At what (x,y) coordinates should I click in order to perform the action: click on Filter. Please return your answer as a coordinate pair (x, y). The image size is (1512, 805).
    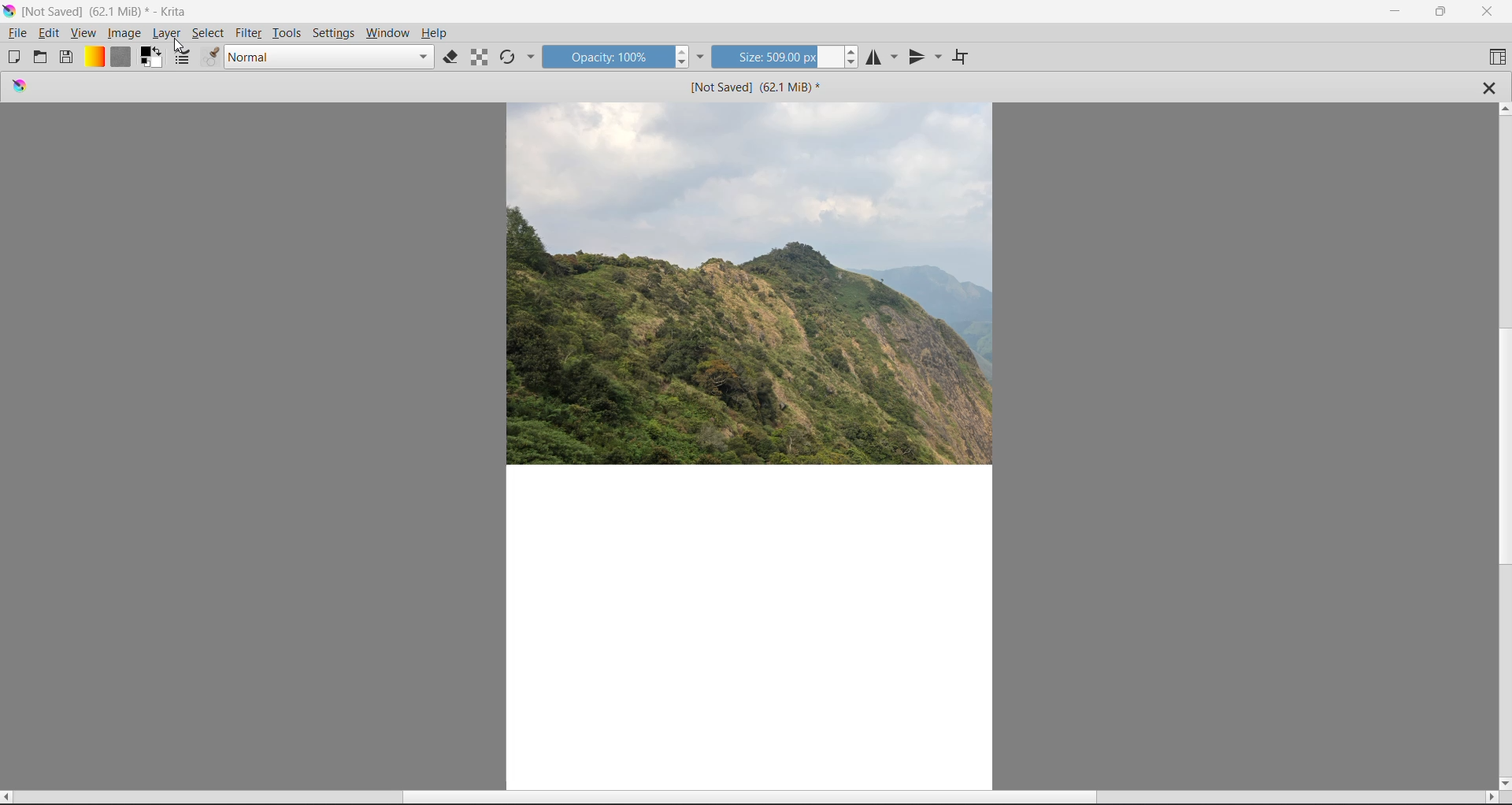
    Looking at the image, I should click on (250, 33).